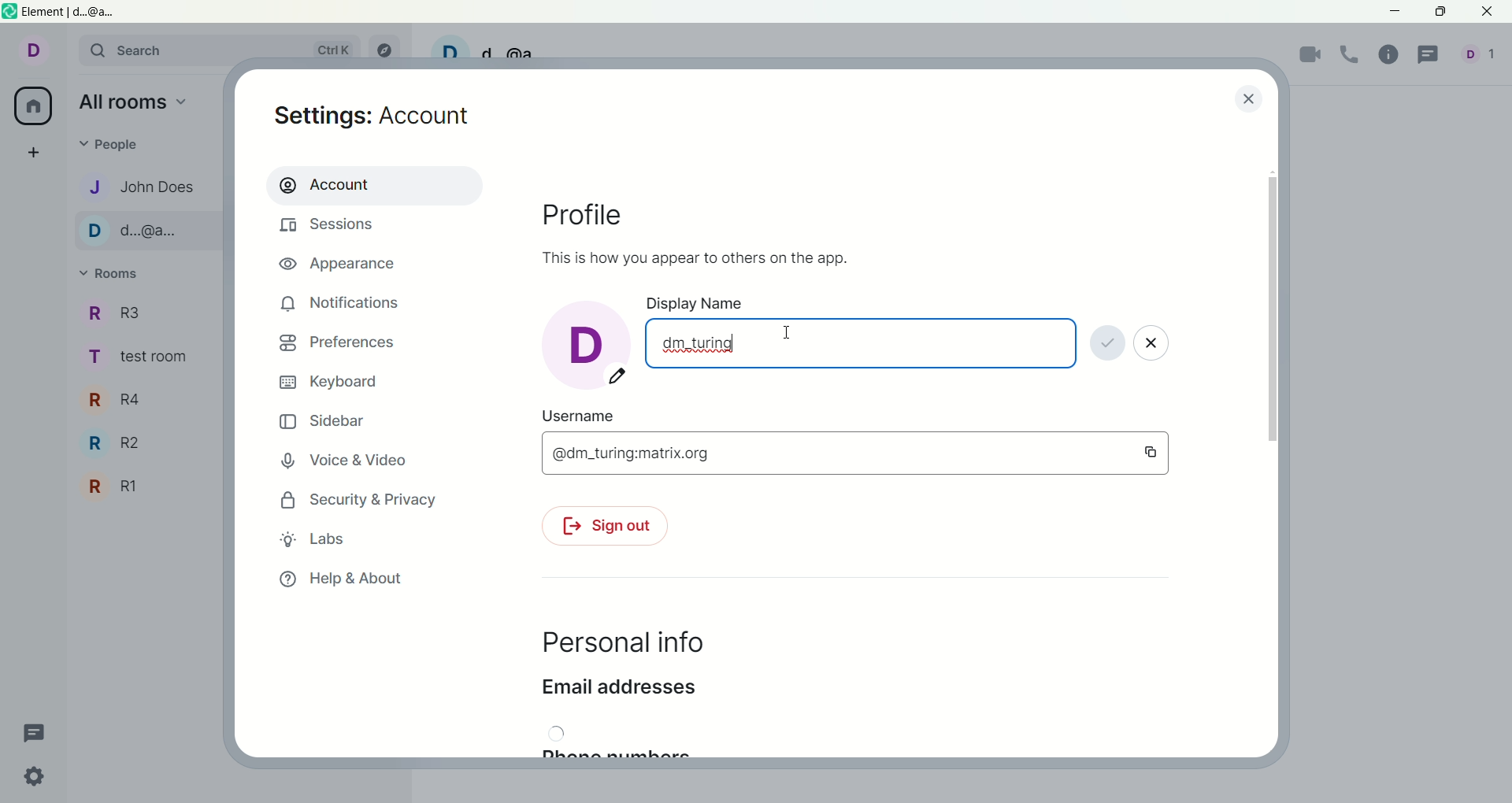 The image size is (1512, 803). What do you see at coordinates (35, 730) in the screenshot?
I see `threads` at bounding box center [35, 730].